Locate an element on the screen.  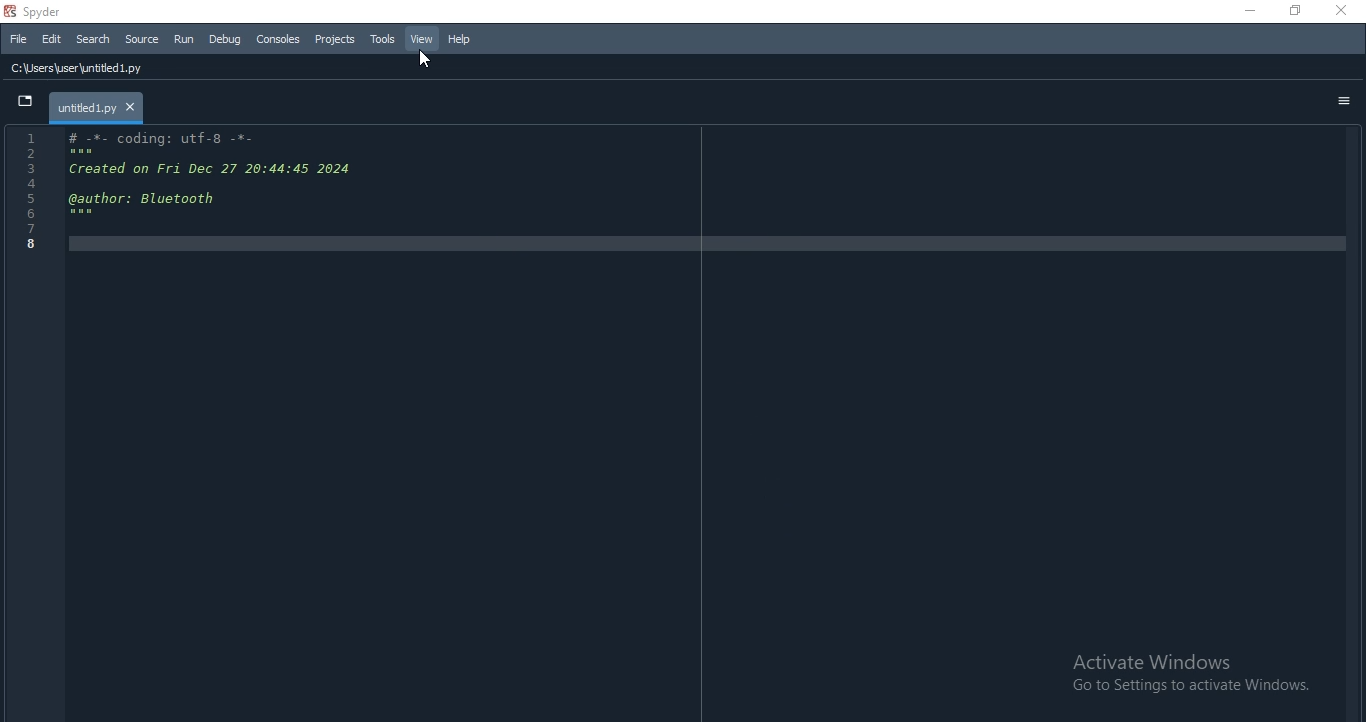
Help is located at coordinates (459, 39).